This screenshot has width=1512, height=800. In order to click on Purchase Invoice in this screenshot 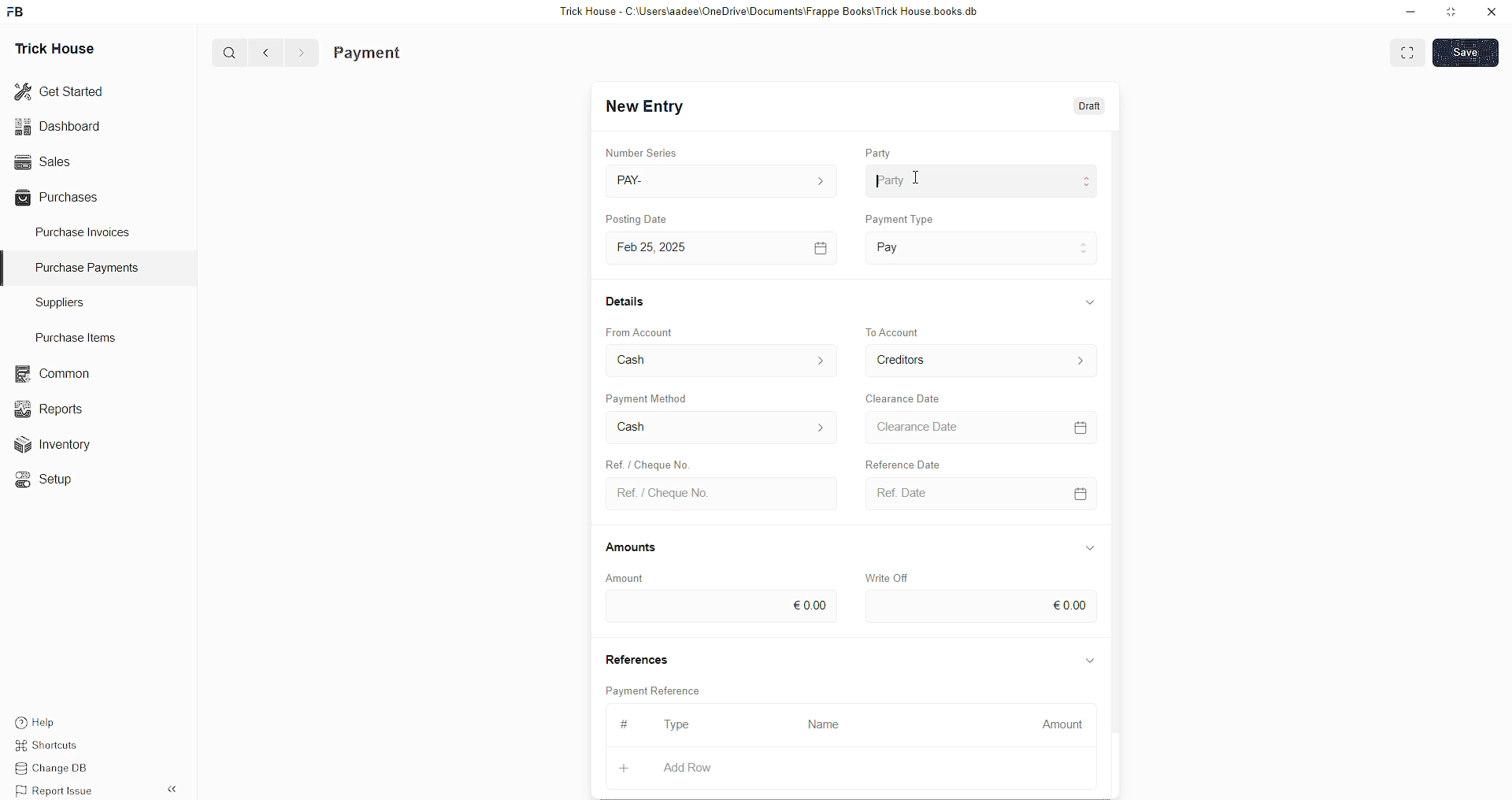, I will do `click(406, 53)`.